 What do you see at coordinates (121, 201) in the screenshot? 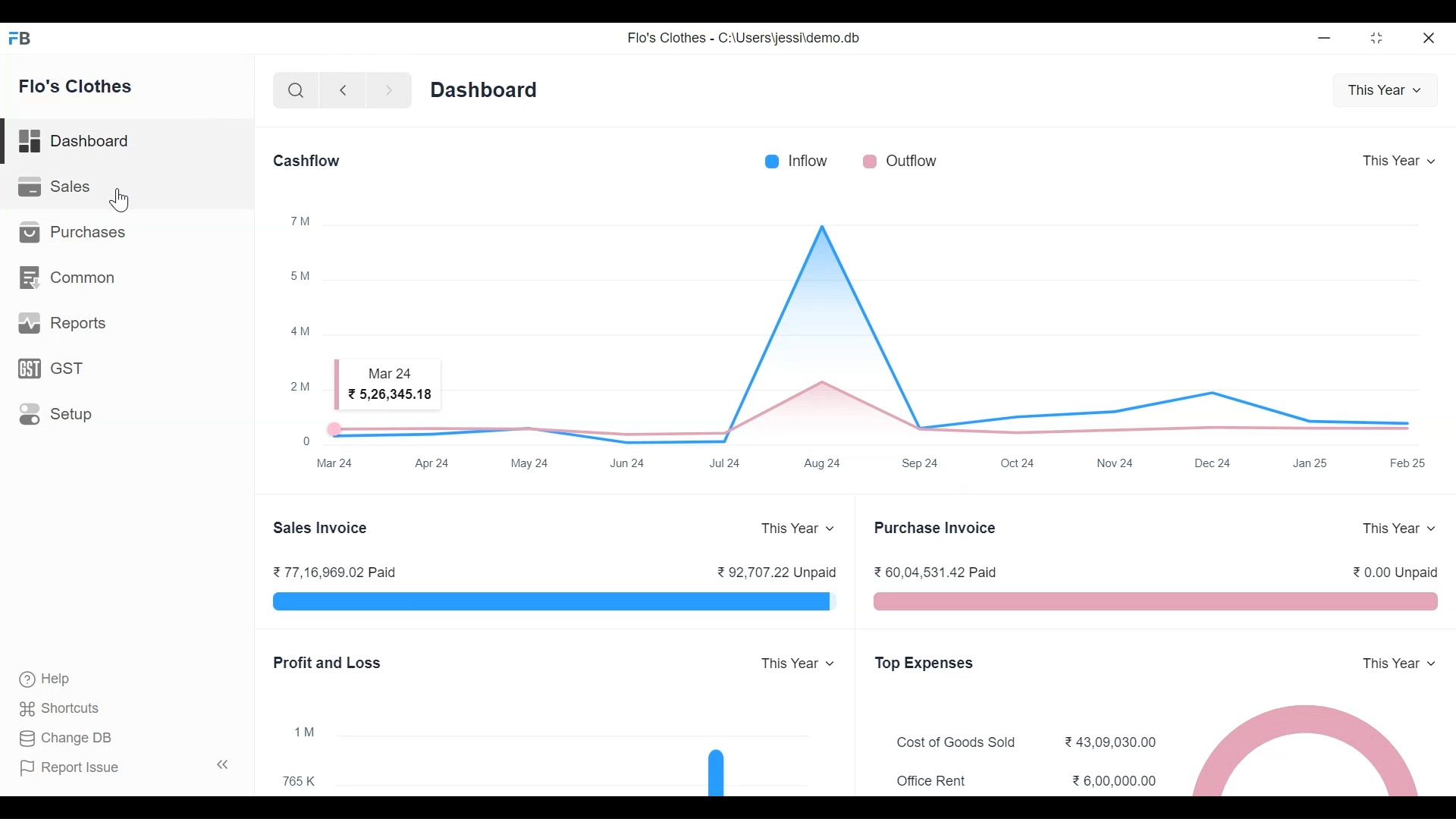
I see `Cursor` at bounding box center [121, 201].